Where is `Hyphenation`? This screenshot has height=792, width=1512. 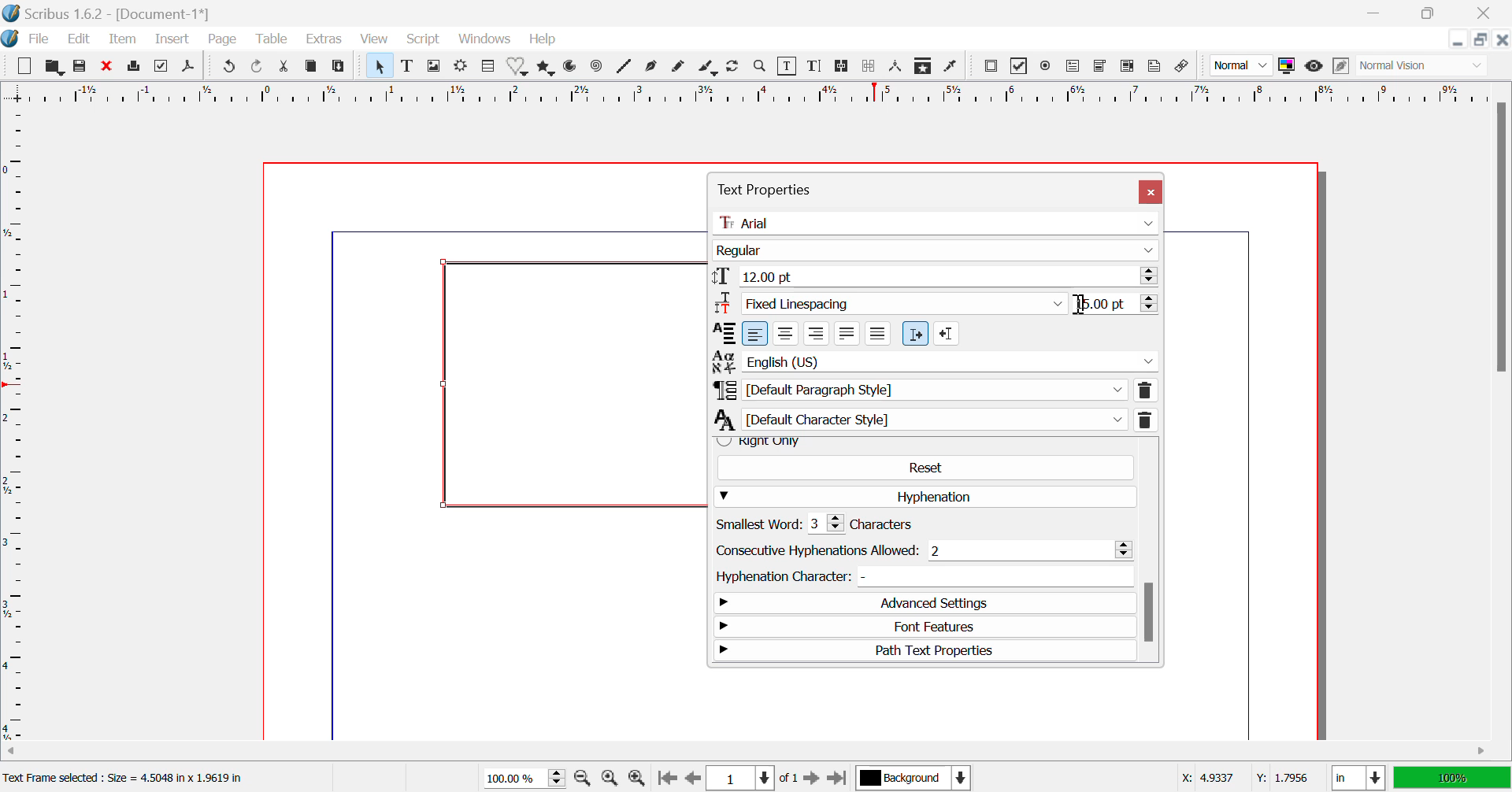 Hyphenation is located at coordinates (926, 497).